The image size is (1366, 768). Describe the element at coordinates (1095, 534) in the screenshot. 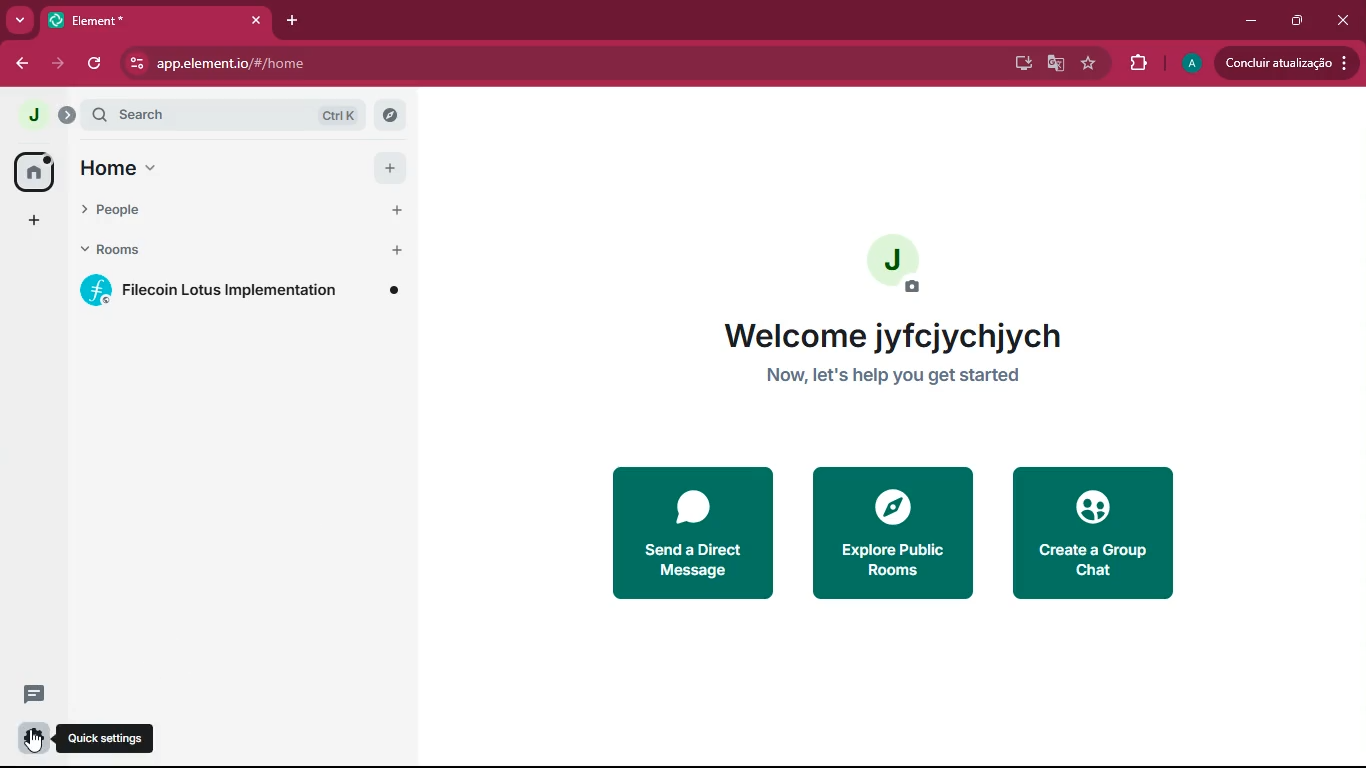

I see `create a group chat` at that location.